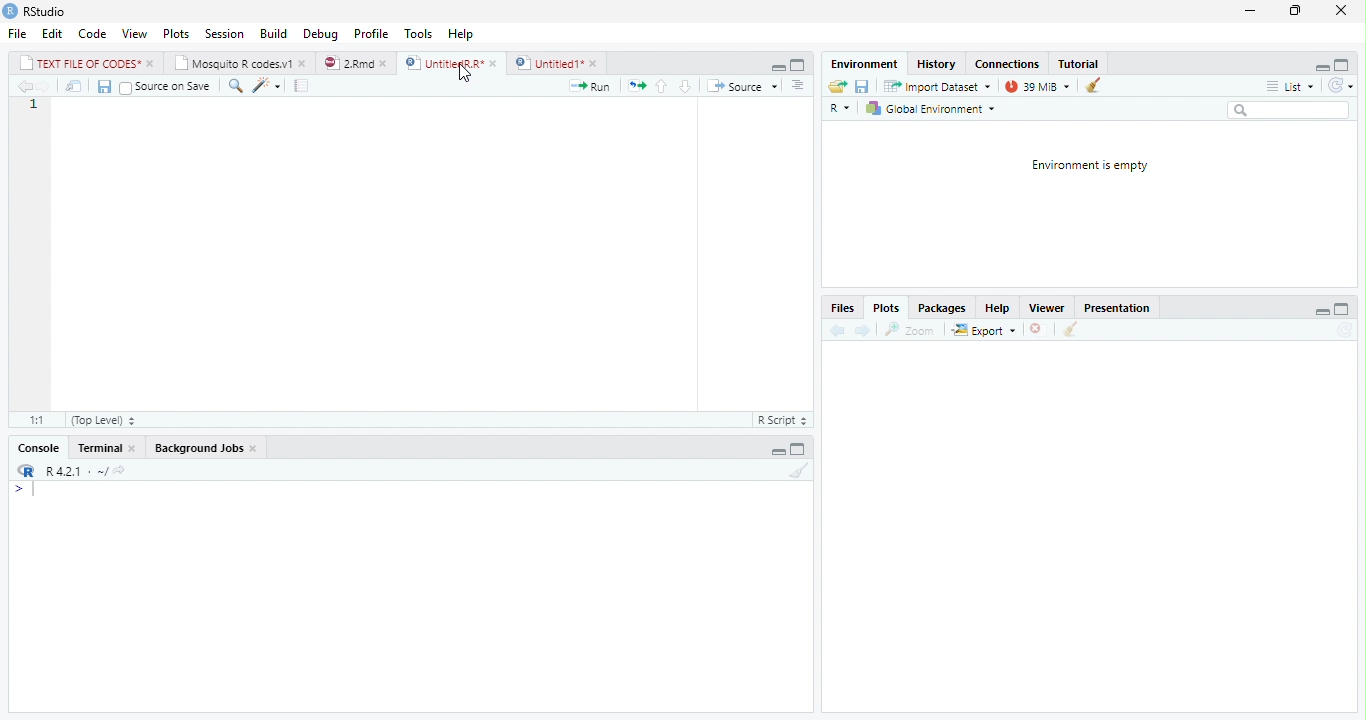 The image size is (1366, 720). What do you see at coordinates (274, 34) in the screenshot?
I see `Build` at bounding box center [274, 34].